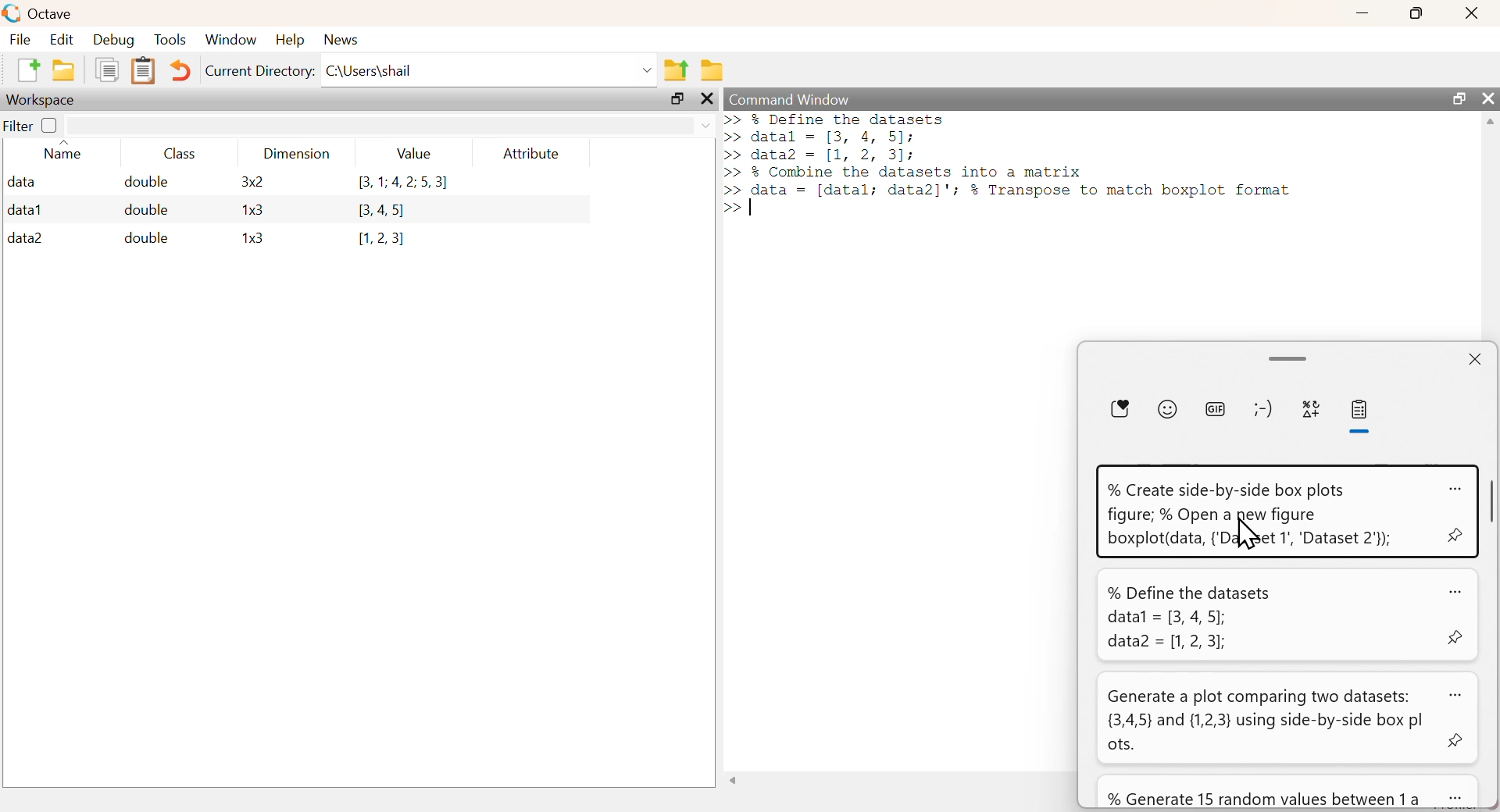 Image resolution: width=1500 pixels, height=812 pixels. Describe the element at coordinates (148, 210) in the screenshot. I see `double` at that location.